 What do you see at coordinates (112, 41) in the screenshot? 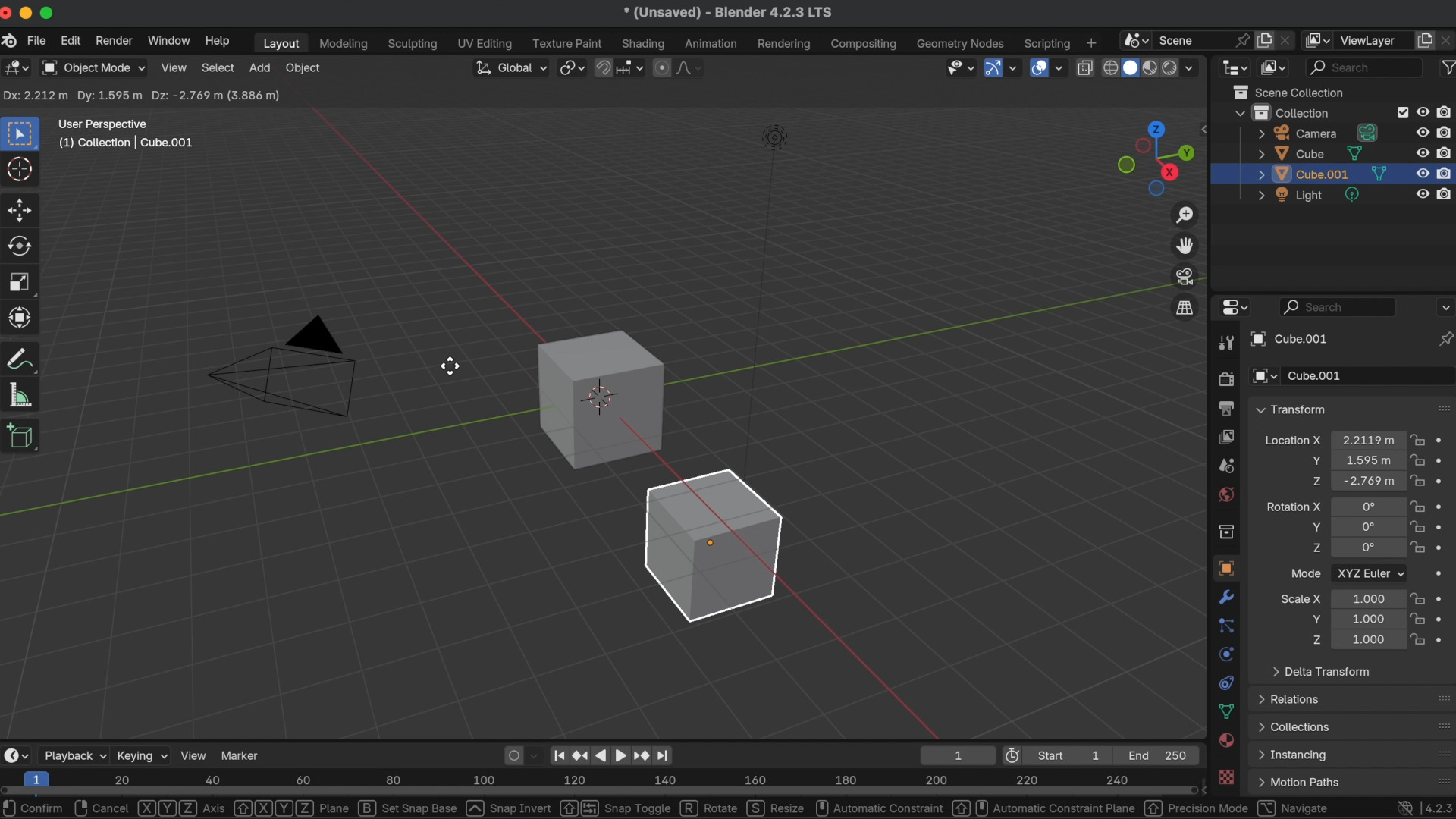
I see `render` at bounding box center [112, 41].